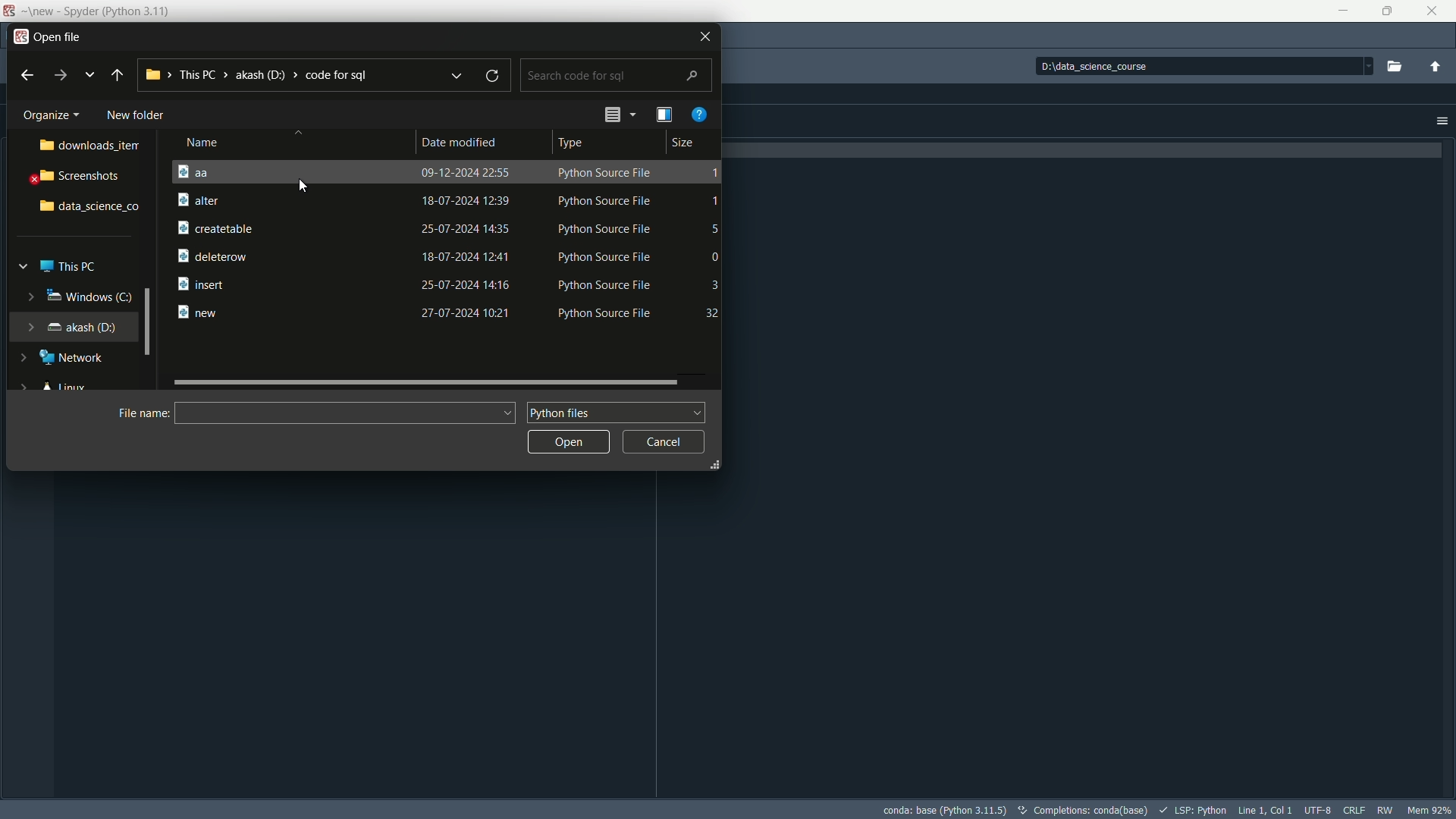 This screenshot has height=819, width=1456. Describe the element at coordinates (1086, 808) in the screenshot. I see `completion conda` at that location.